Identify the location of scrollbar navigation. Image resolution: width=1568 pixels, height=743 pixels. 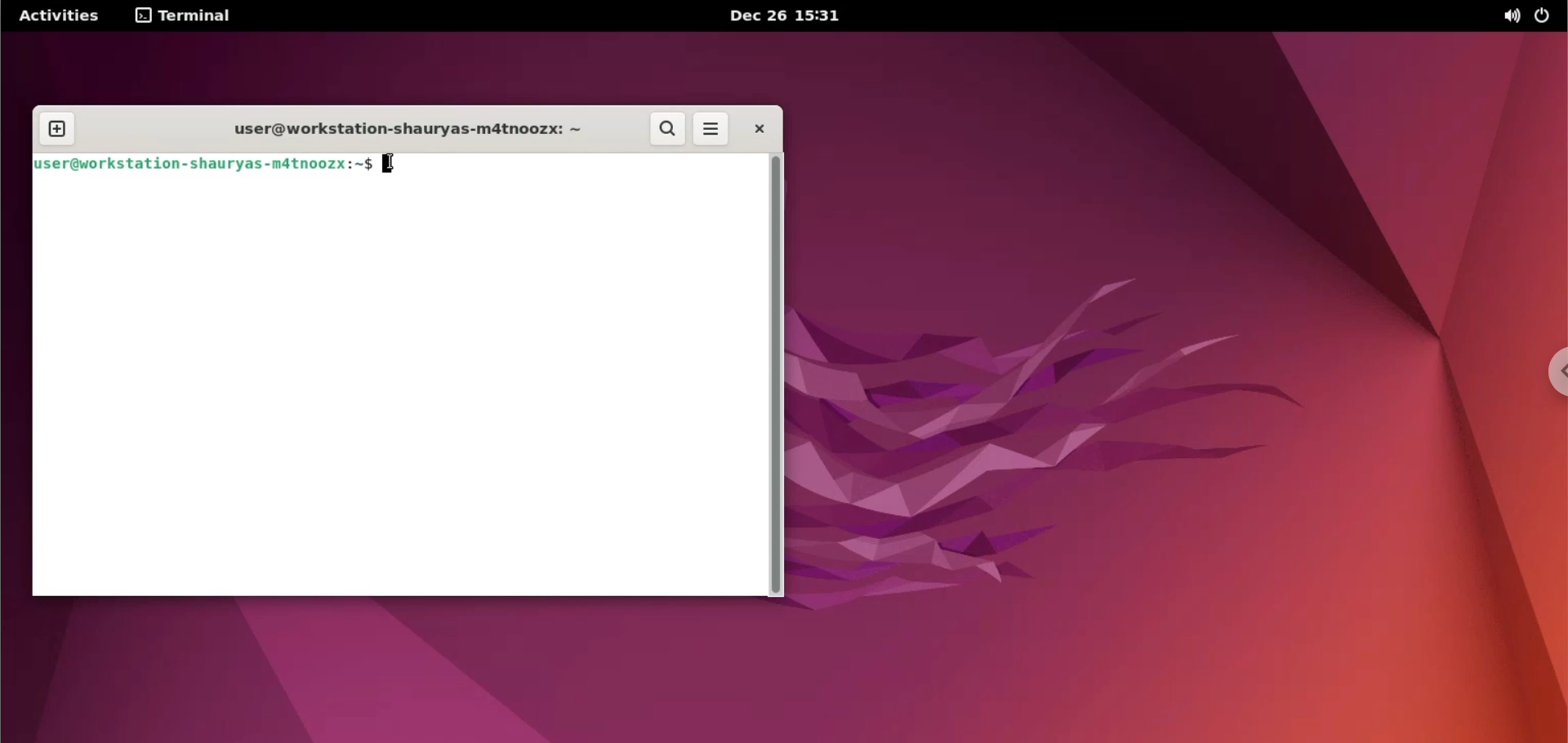
(775, 374).